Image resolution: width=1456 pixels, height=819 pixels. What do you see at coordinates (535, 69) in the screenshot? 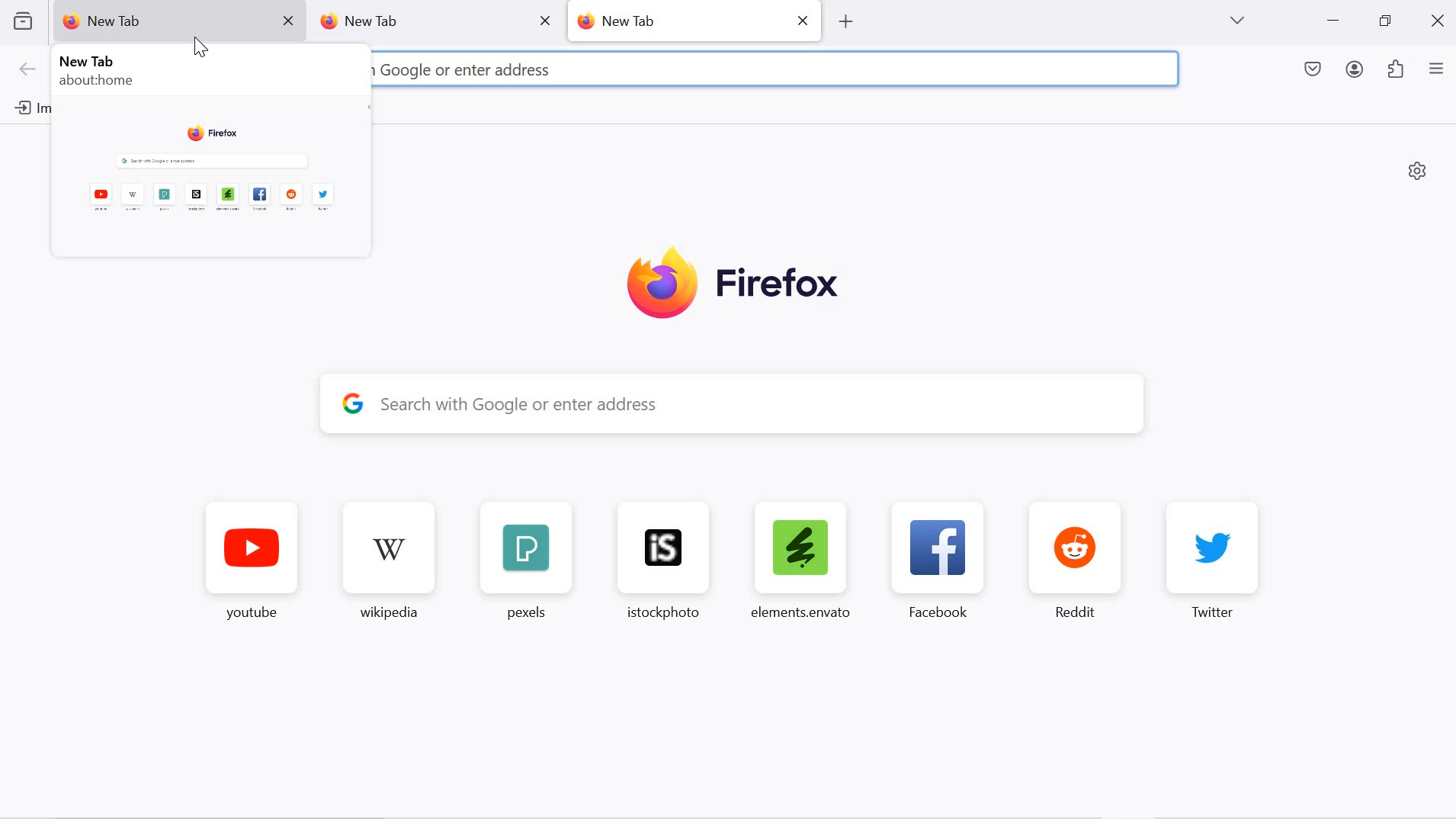
I see `3 kearch with Google or enter address` at bounding box center [535, 69].